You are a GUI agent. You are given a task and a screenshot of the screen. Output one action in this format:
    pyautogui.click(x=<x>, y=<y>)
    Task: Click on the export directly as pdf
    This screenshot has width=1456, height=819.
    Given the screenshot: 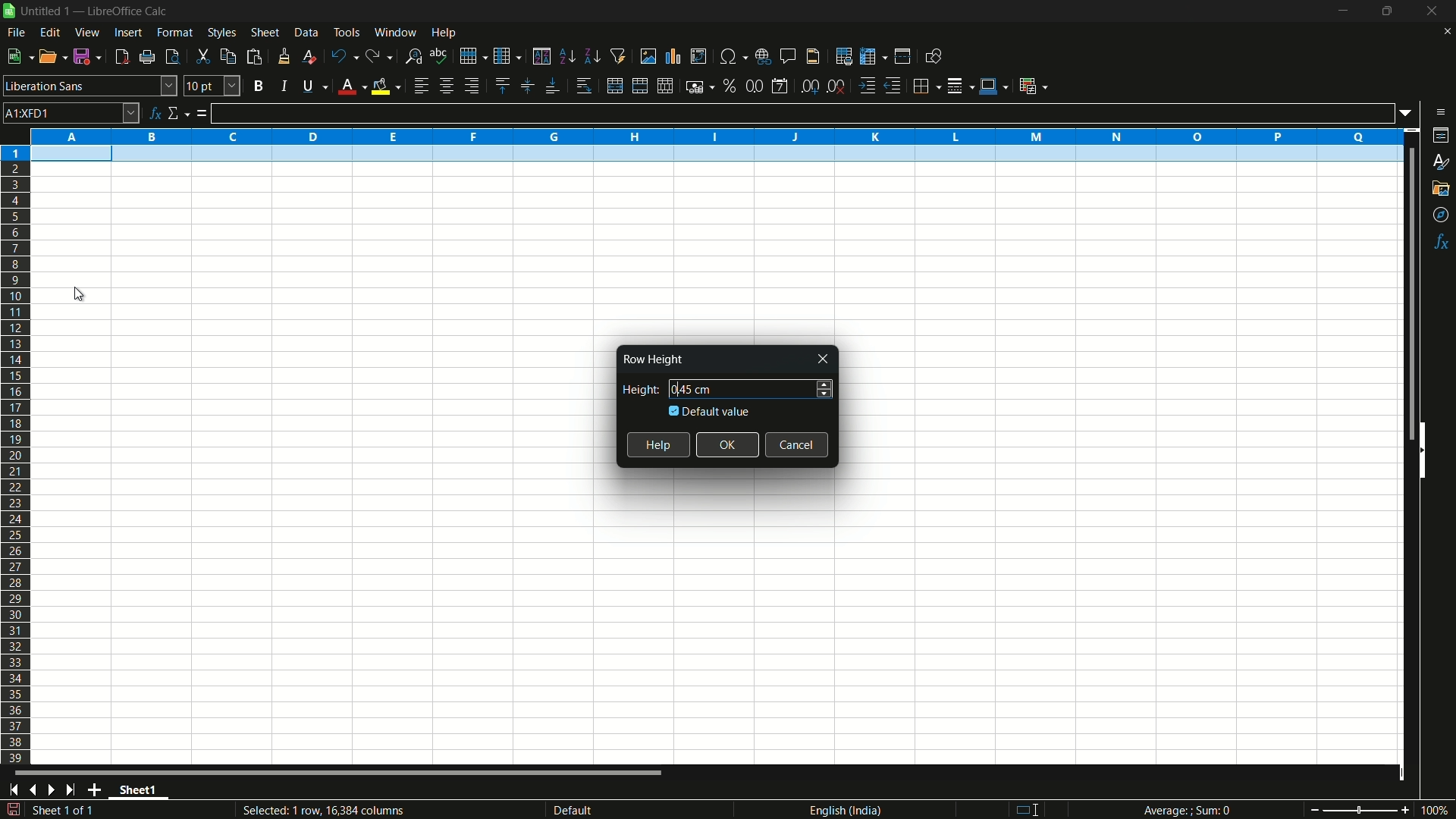 What is the action you would take?
    pyautogui.click(x=121, y=57)
    